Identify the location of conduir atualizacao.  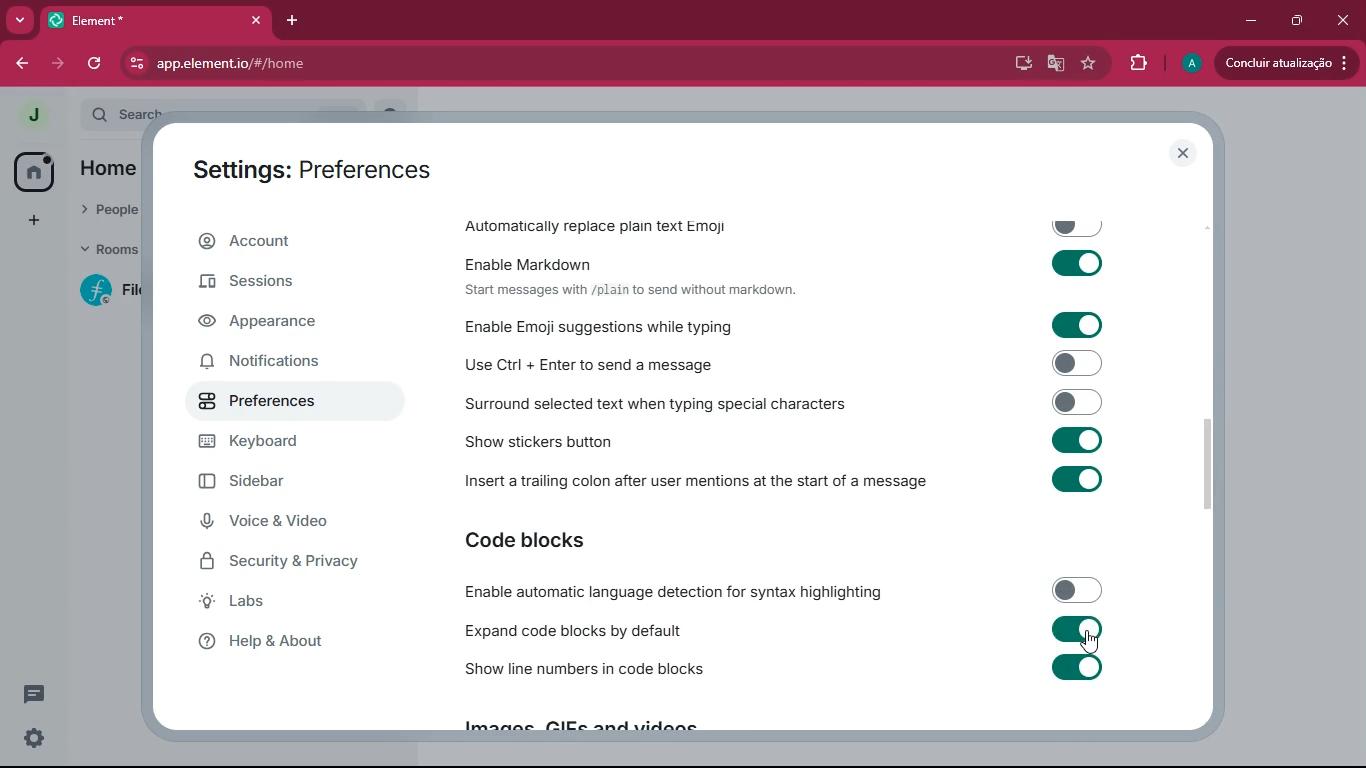
(1285, 63).